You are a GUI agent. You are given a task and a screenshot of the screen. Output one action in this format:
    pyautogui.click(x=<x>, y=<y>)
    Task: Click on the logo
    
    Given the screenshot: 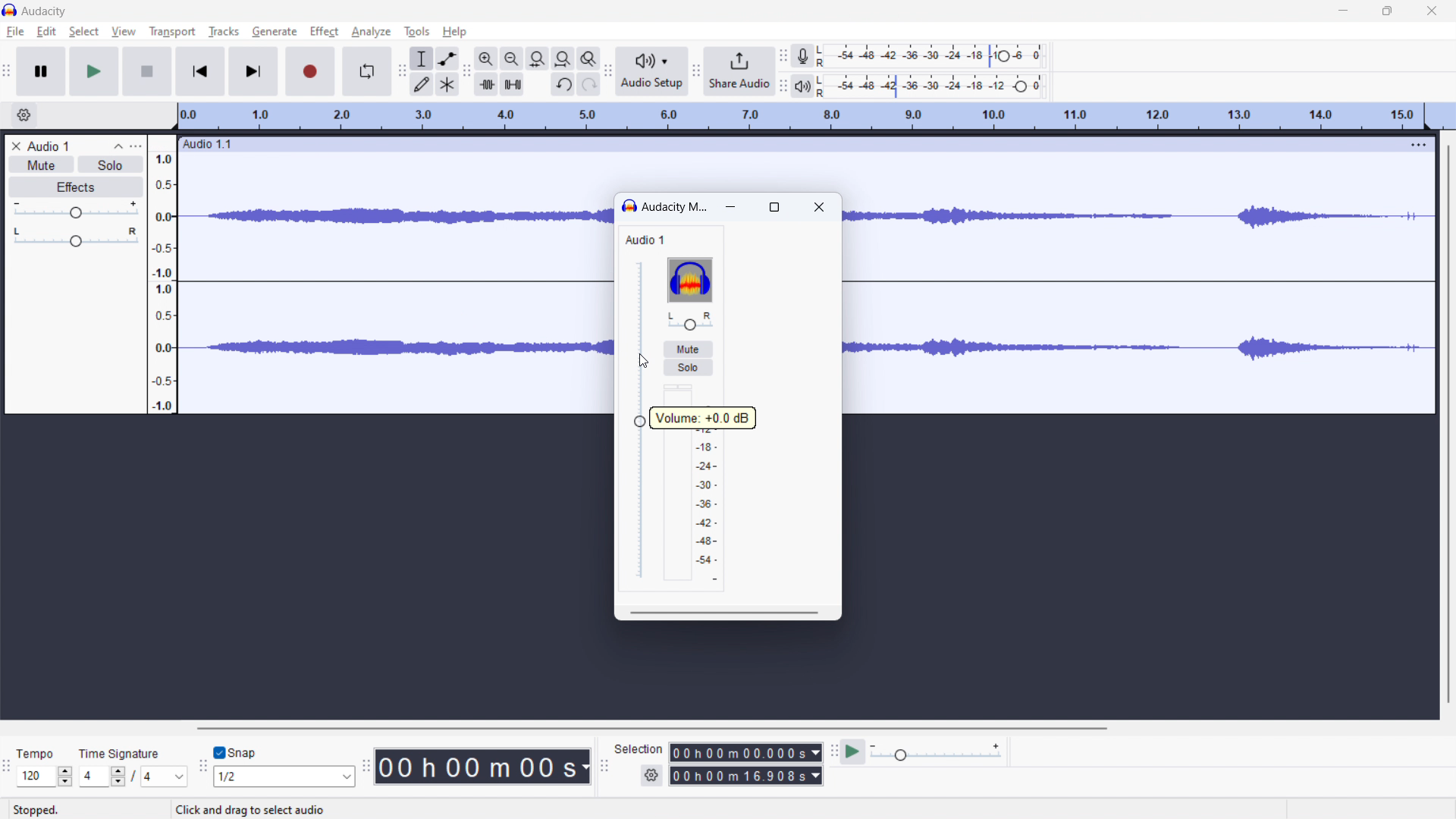 What is the action you would take?
    pyautogui.click(x=689, y=280)
    